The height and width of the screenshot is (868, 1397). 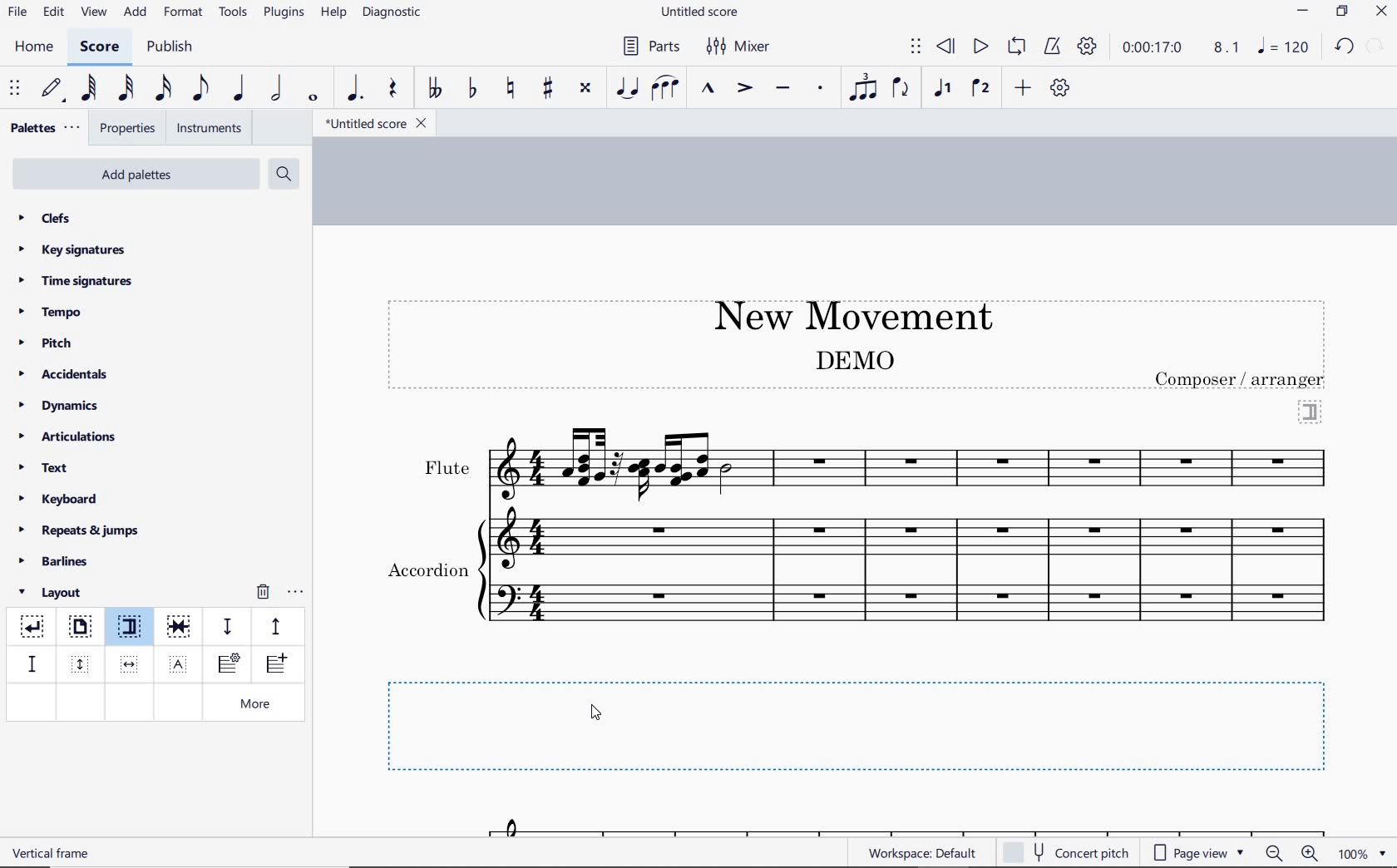 What do you see at coordinates (912, 584) in the screenshot?
I see `Instrument: Accordion` at bounding box center [912, 584].